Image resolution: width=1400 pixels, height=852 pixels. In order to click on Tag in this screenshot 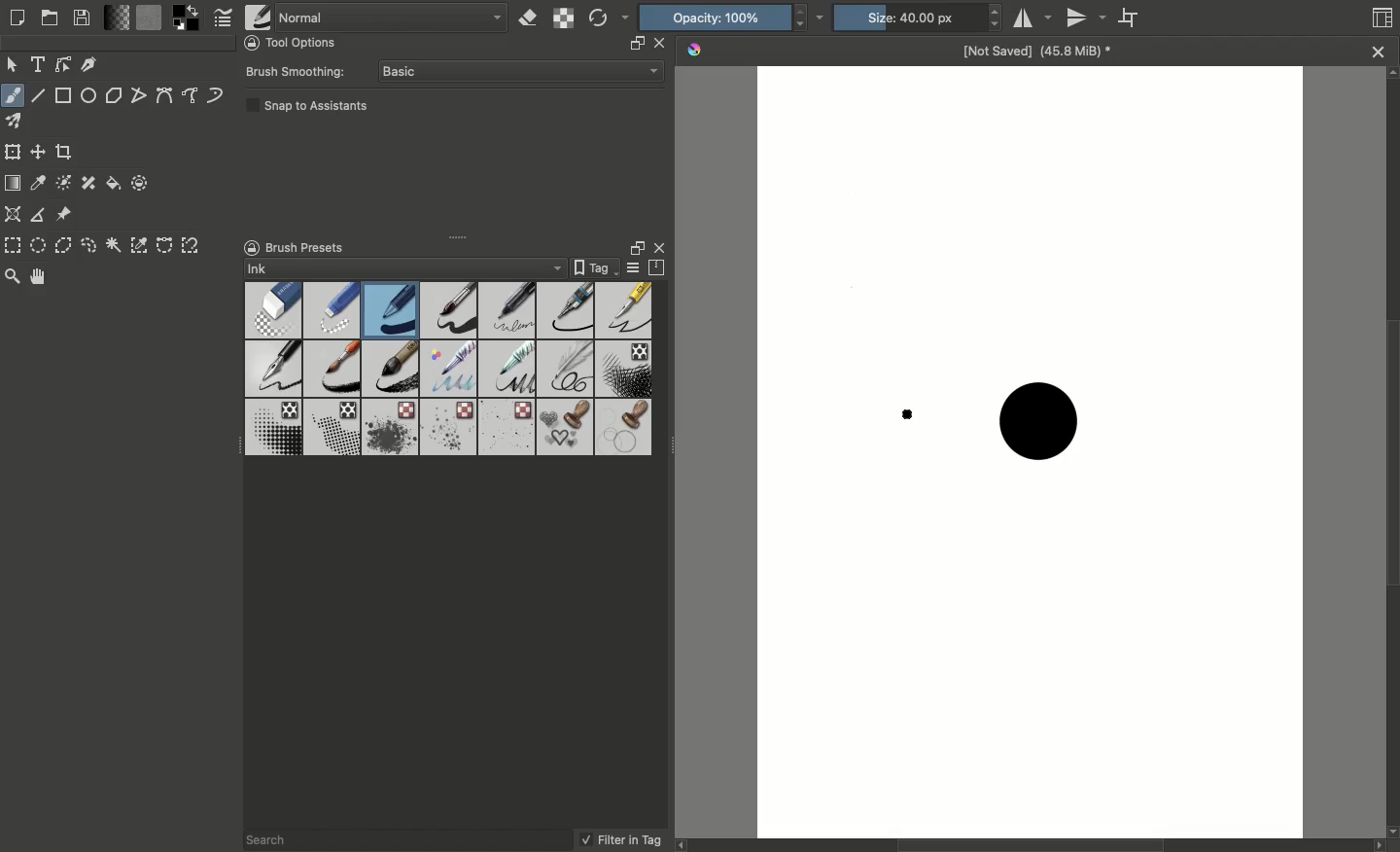, I will do `click(594, 268)`.